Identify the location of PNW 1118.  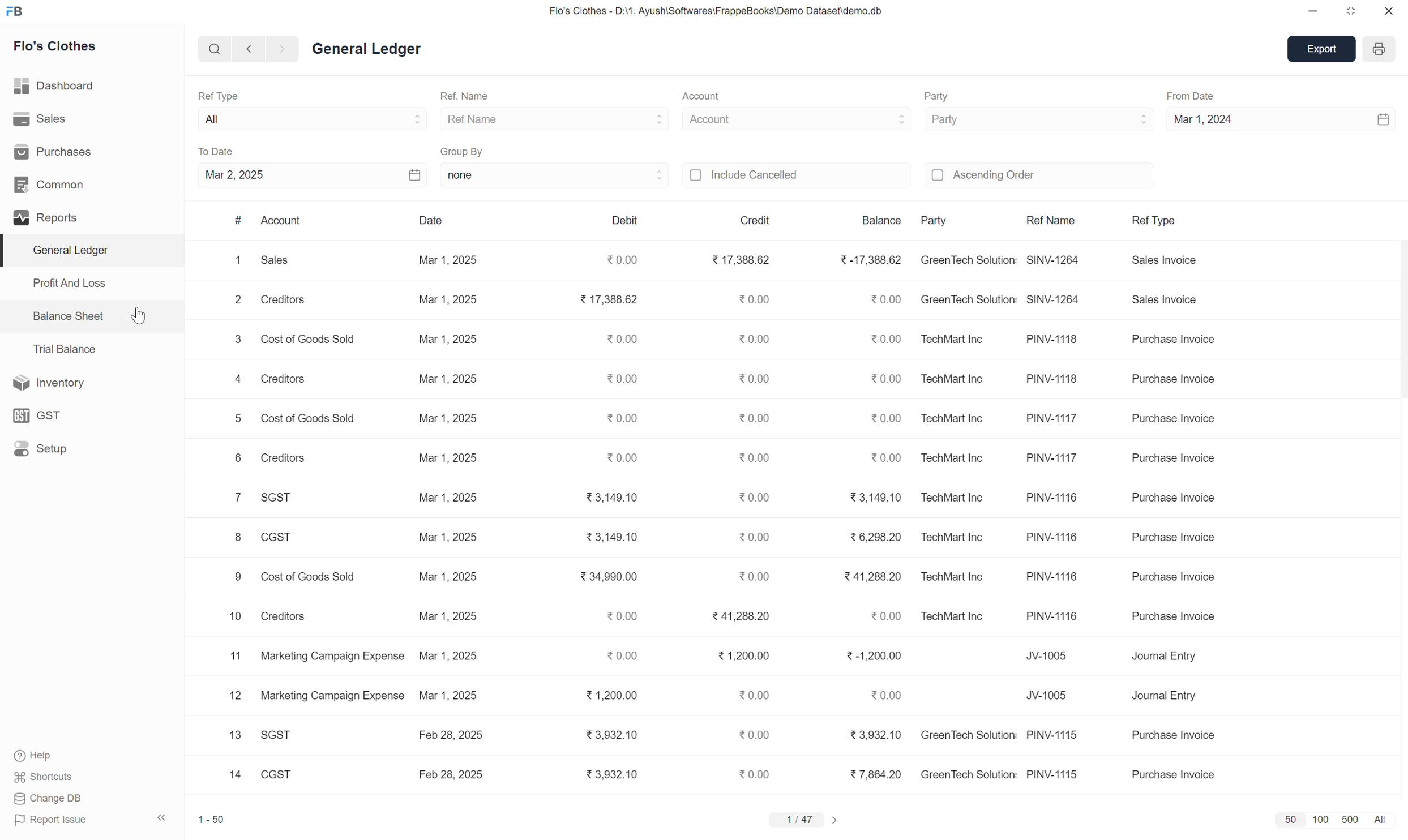
(1054, 498).